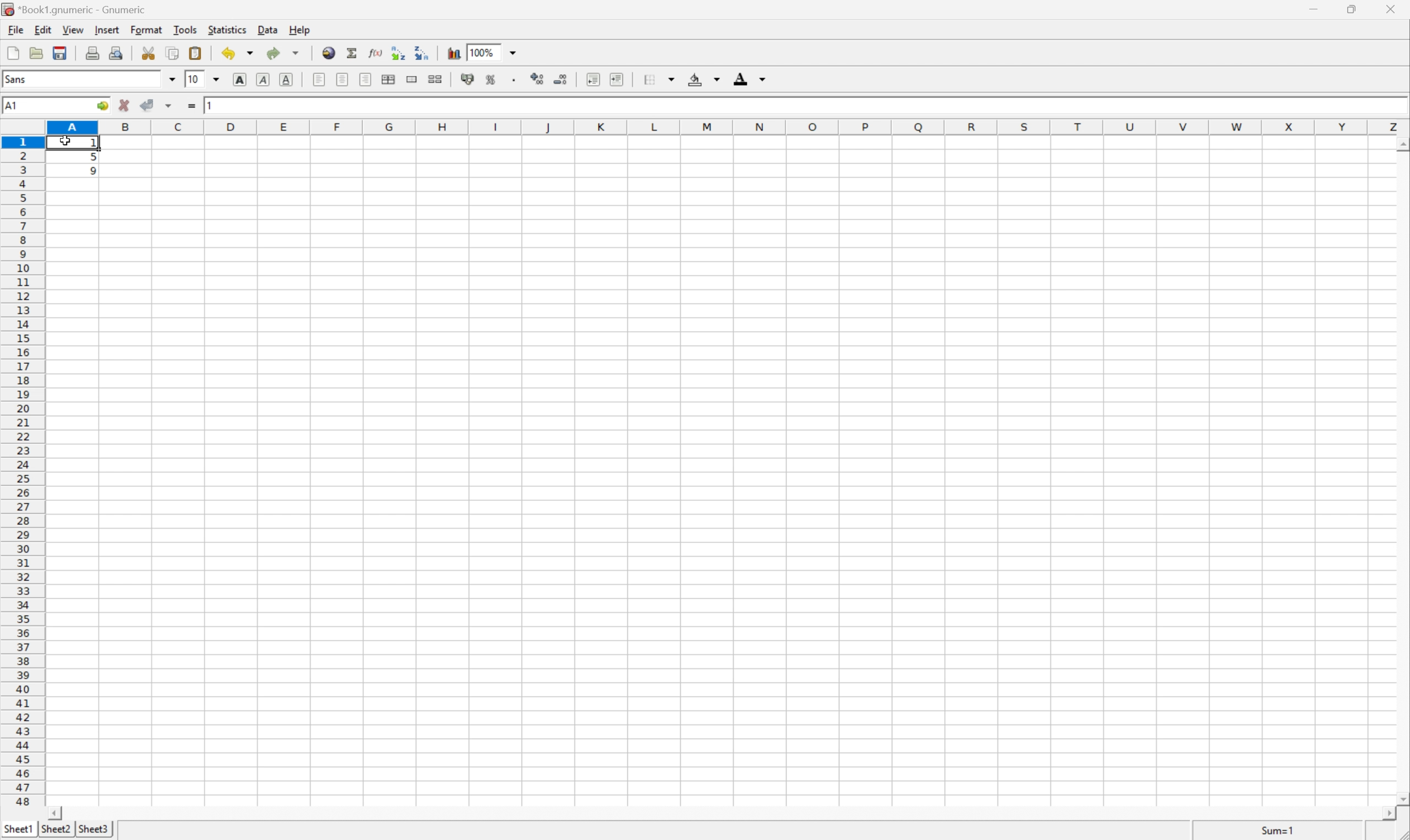 This screenshot has width=1410, height=840. What do you see at coordinates (35, 51) in the screenshot?
I see `open a file` at bounding box center [35, 51].